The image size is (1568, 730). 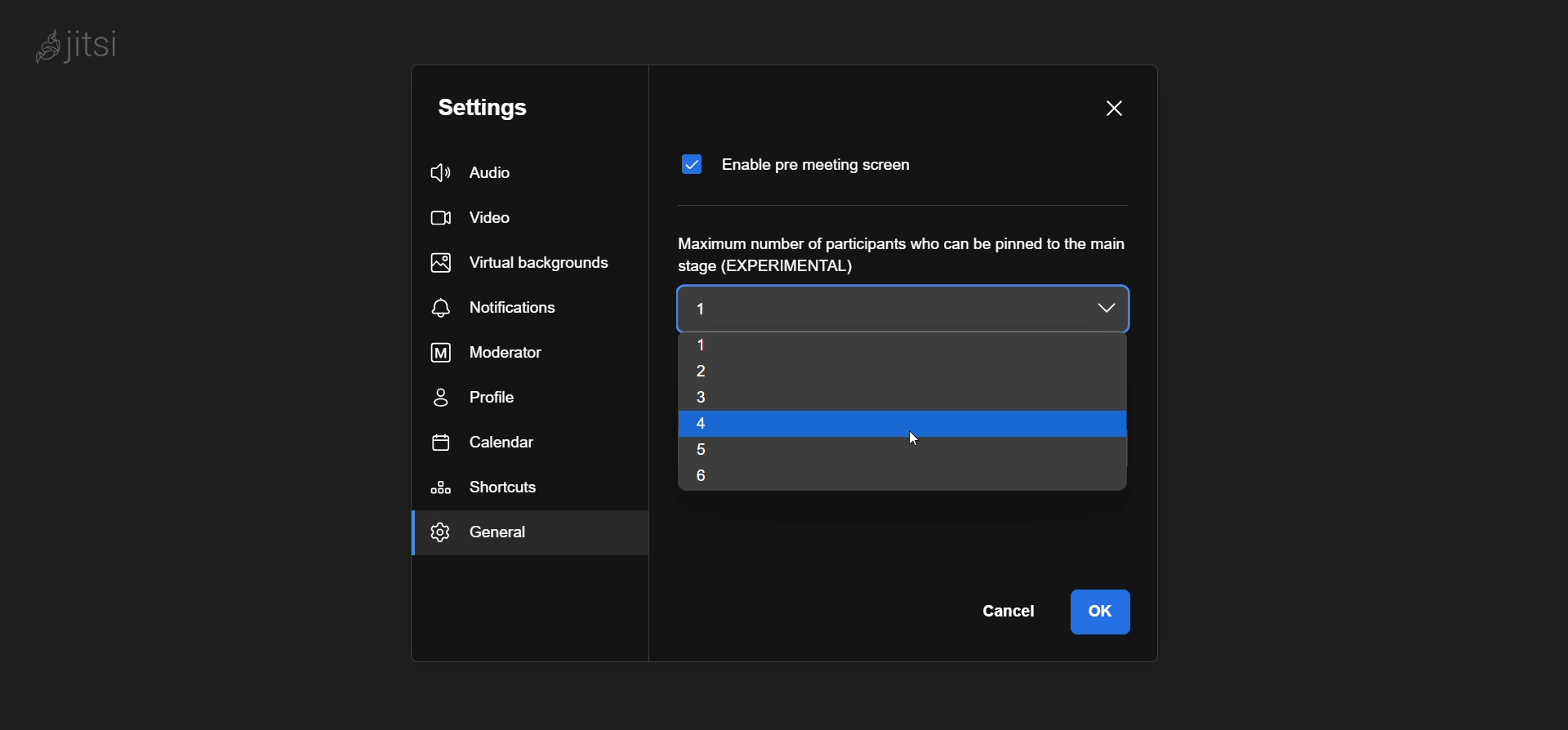 What do you see at coordinates (716, 477) in the screenshot?
I see `6` at bounding box center [716, 477].